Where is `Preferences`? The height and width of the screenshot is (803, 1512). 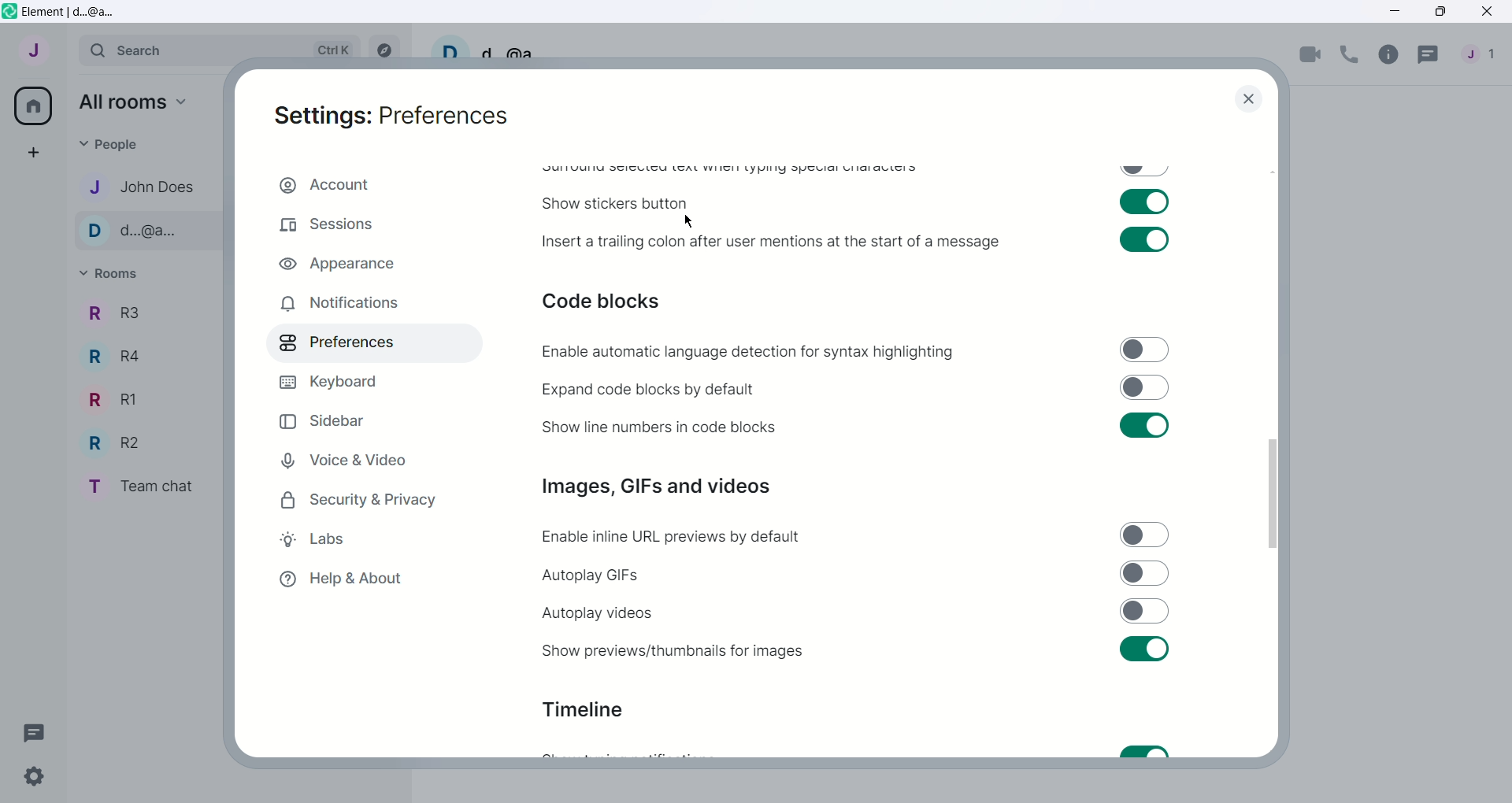 Preferences is located at coordinates (366, 344).